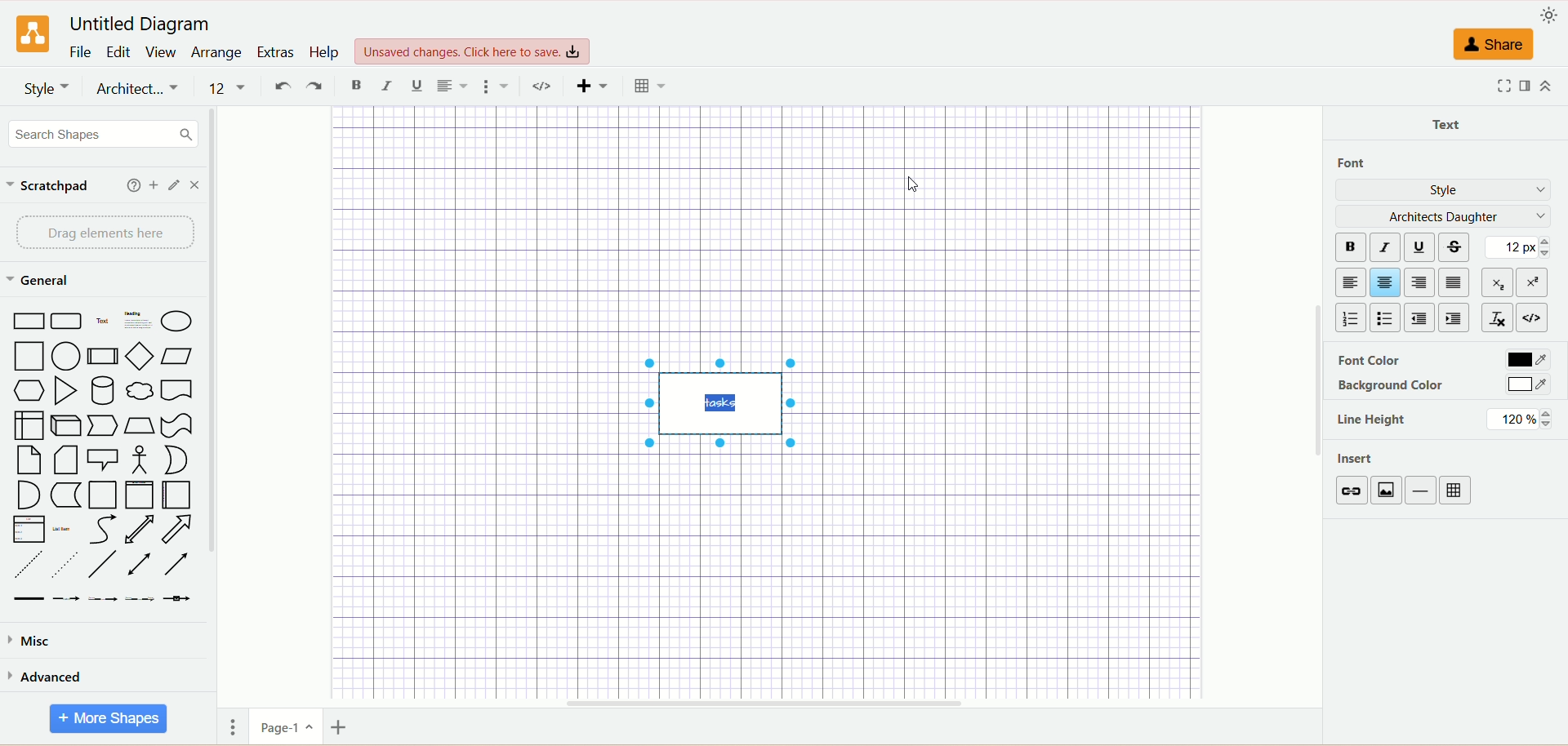  Describe the element at coordinates (1495, 45) in the screenshot. I see `share` at that location.